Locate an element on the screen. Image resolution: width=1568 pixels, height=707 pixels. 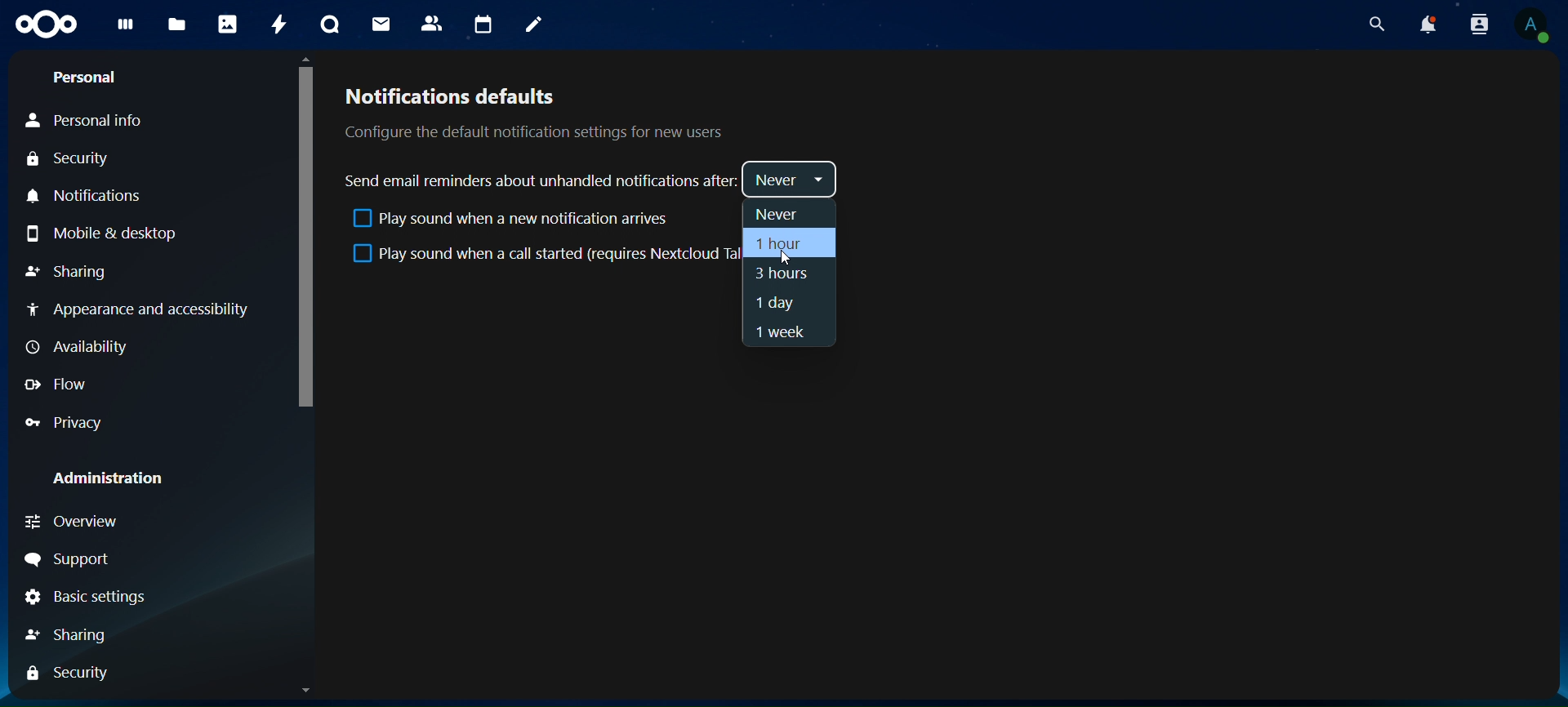
 week is located at coordinates (777, 332).